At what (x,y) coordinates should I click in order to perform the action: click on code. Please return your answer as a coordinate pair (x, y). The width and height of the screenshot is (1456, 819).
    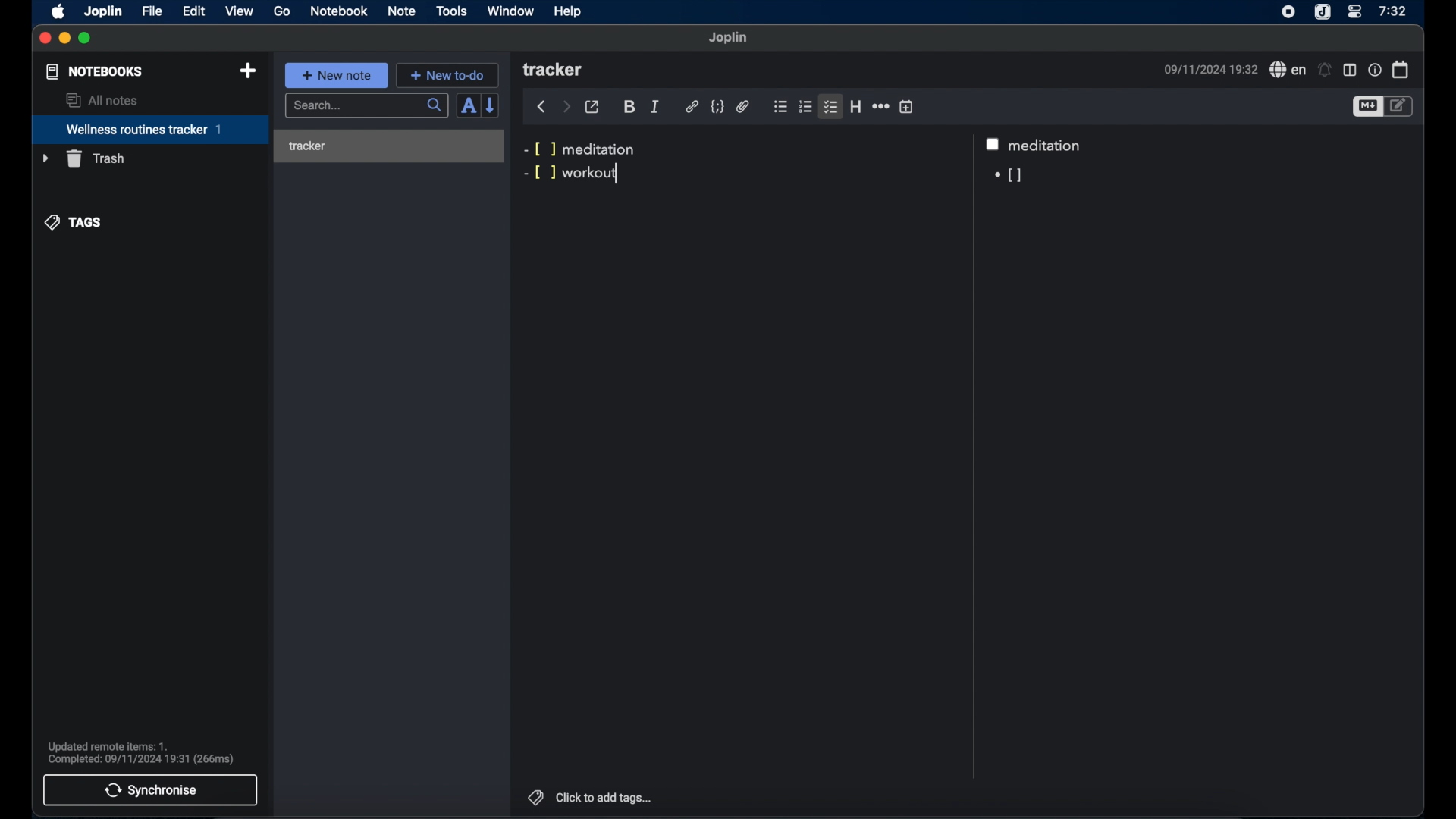
    Looking at the image, I should click on (717, 107).